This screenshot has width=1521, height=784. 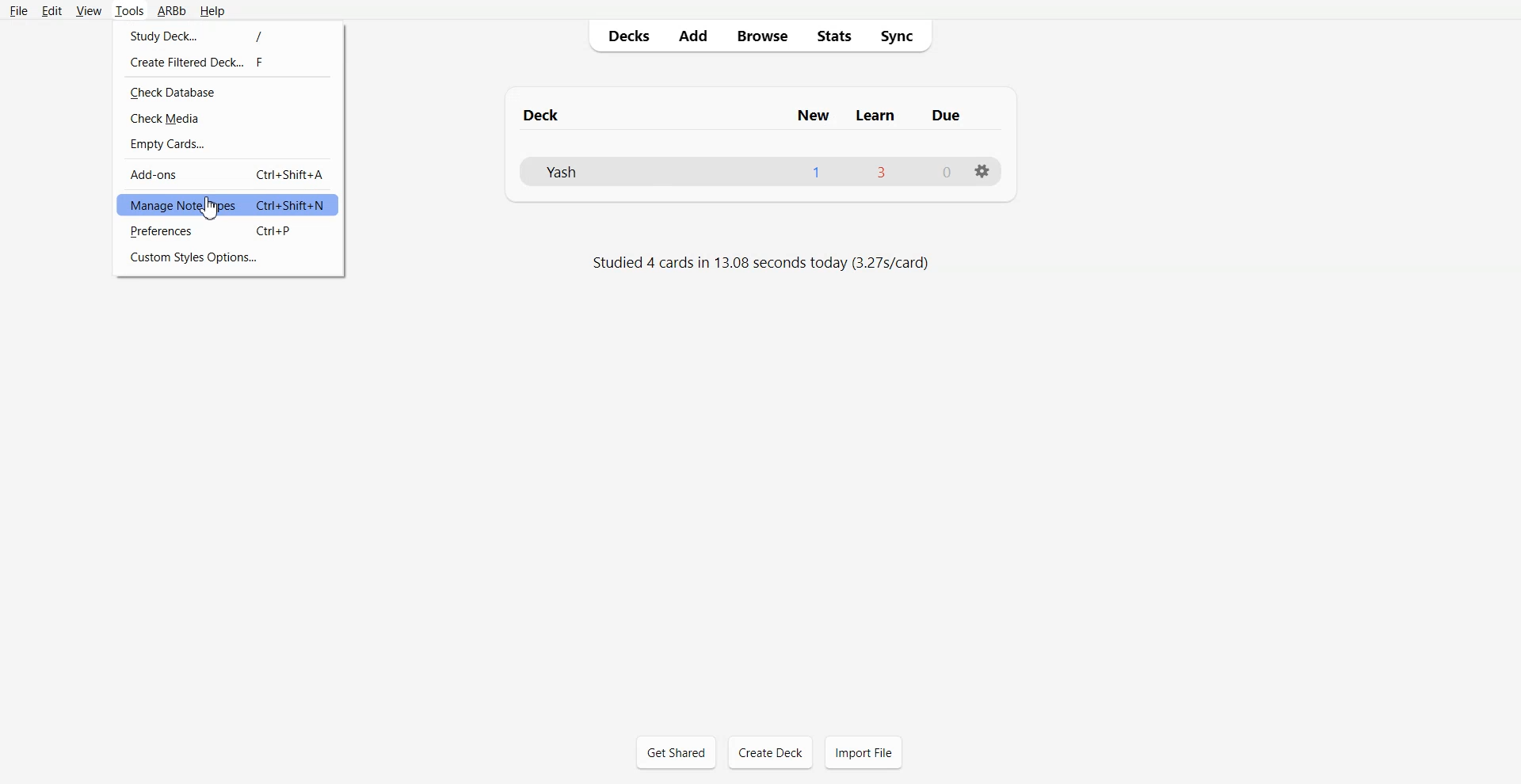 I want to click on Help, so click(x=212, y=12).